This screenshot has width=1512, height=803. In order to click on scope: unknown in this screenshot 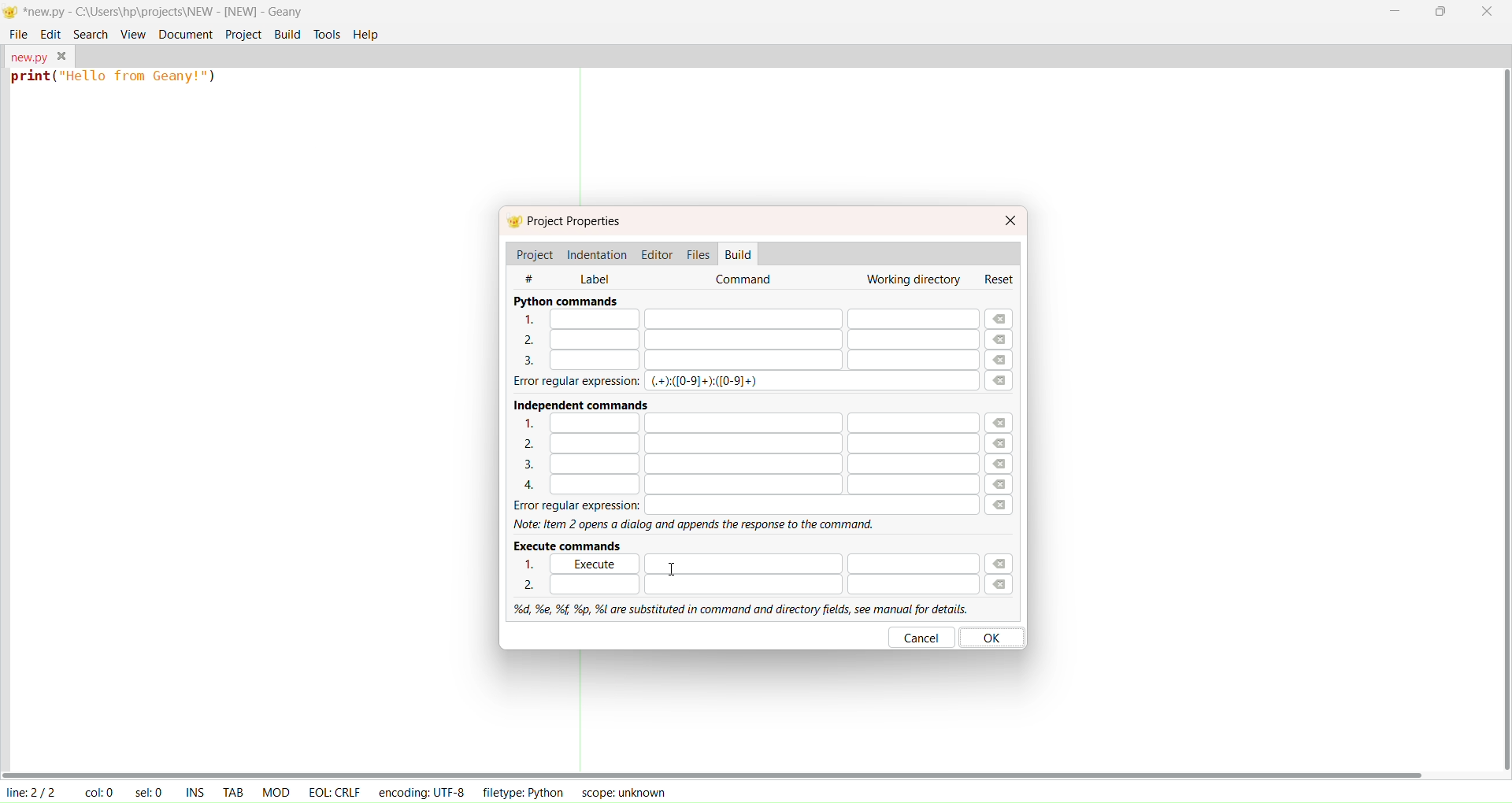, I will do `click(621, 792)`.